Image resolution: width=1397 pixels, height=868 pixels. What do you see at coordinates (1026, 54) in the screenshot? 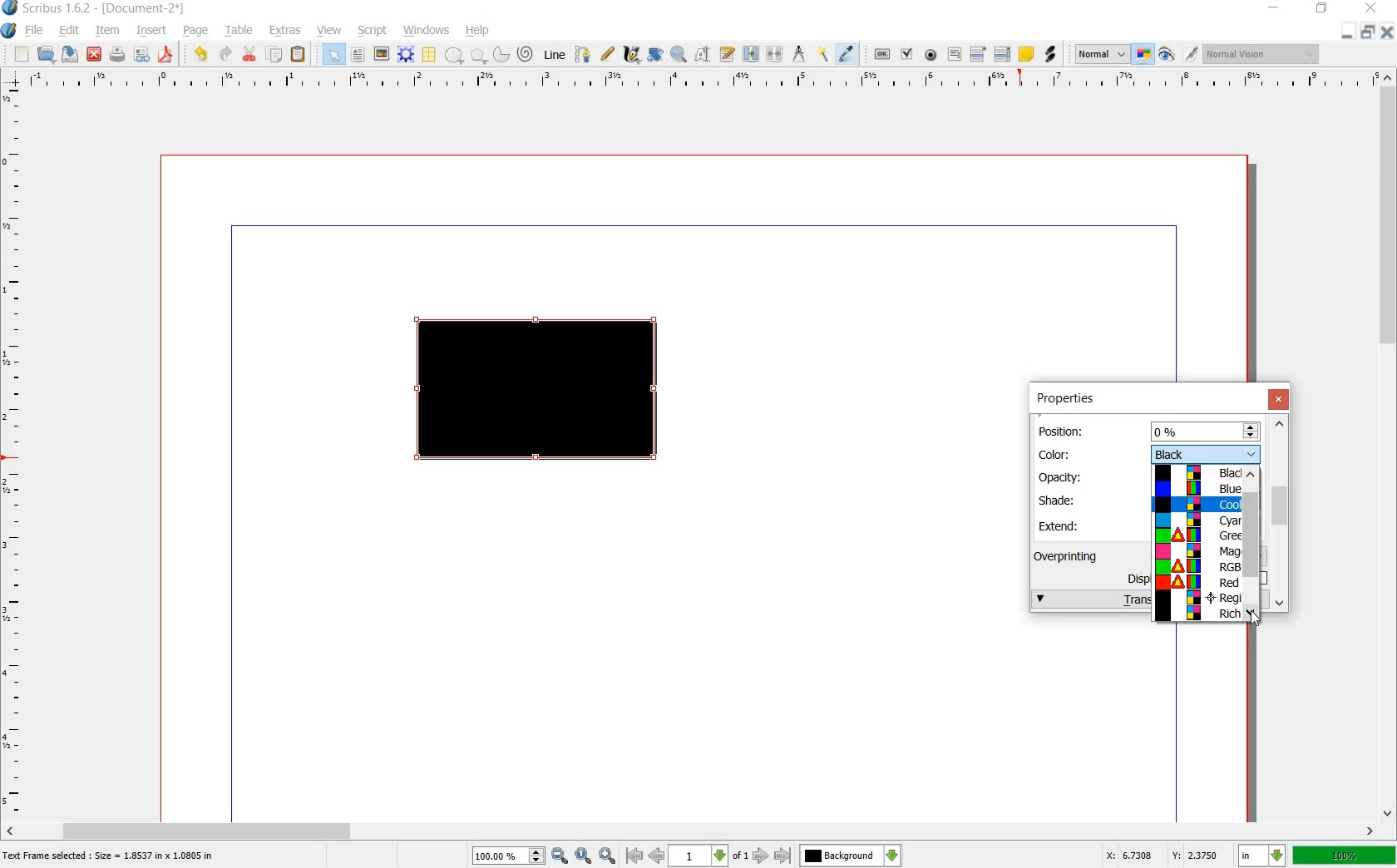
I see `text annotation` at bounding box center [1026, 54].